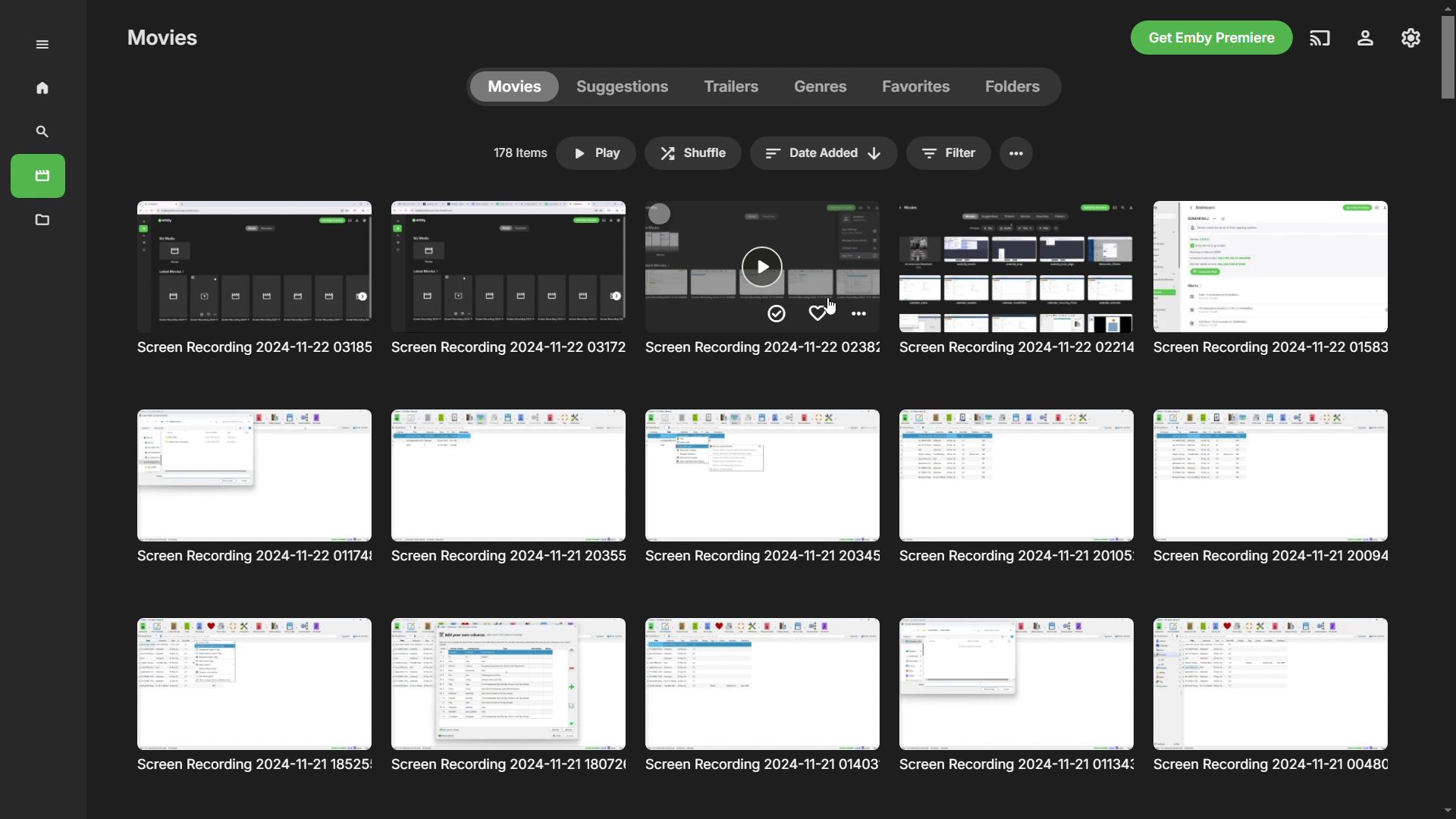  Describe the element at coordinates (1009, 86) in the screenshot. I see `folders` at that location.